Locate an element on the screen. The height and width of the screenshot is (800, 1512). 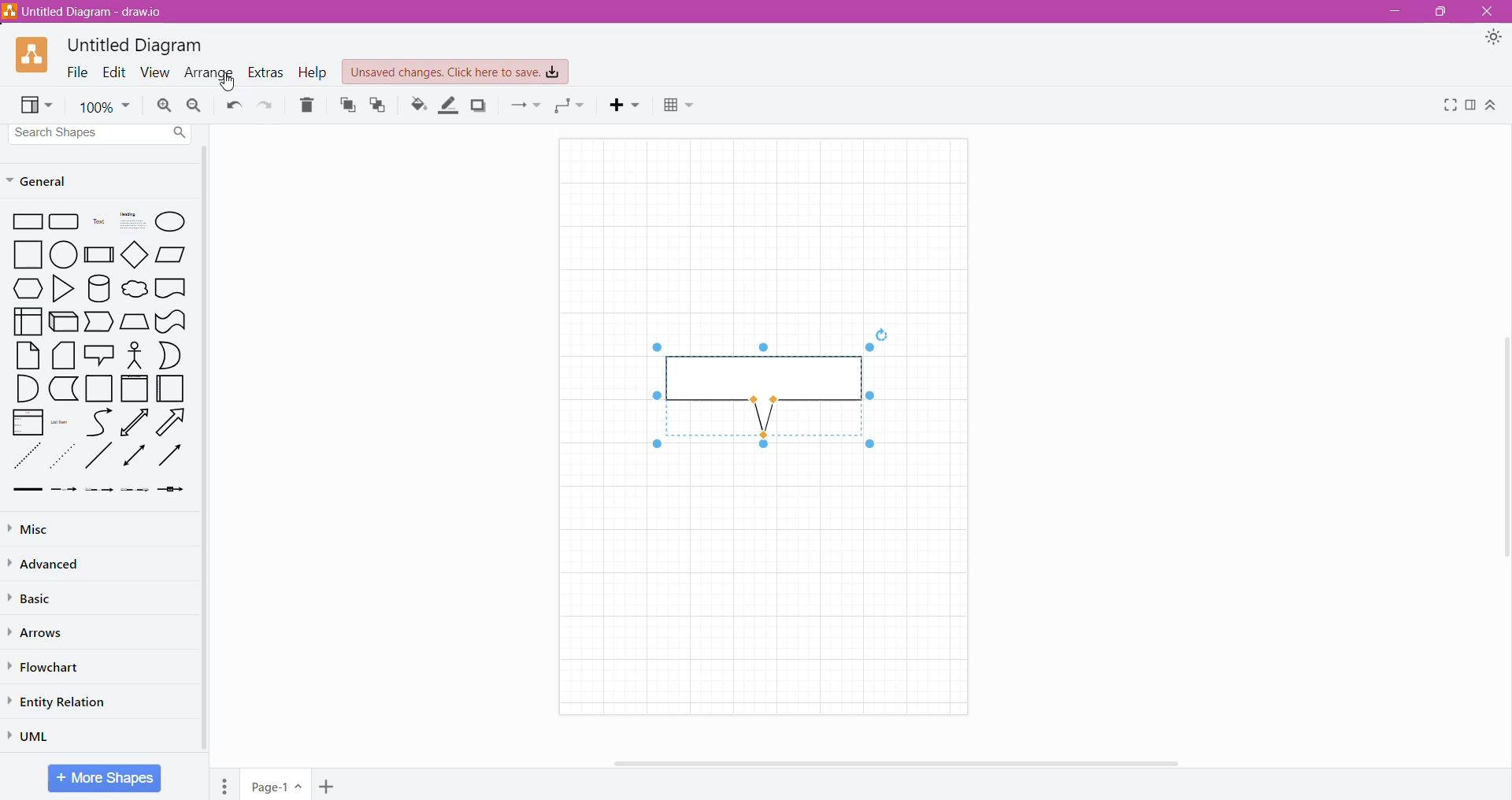
To Back is located at coordinates (380, 106).